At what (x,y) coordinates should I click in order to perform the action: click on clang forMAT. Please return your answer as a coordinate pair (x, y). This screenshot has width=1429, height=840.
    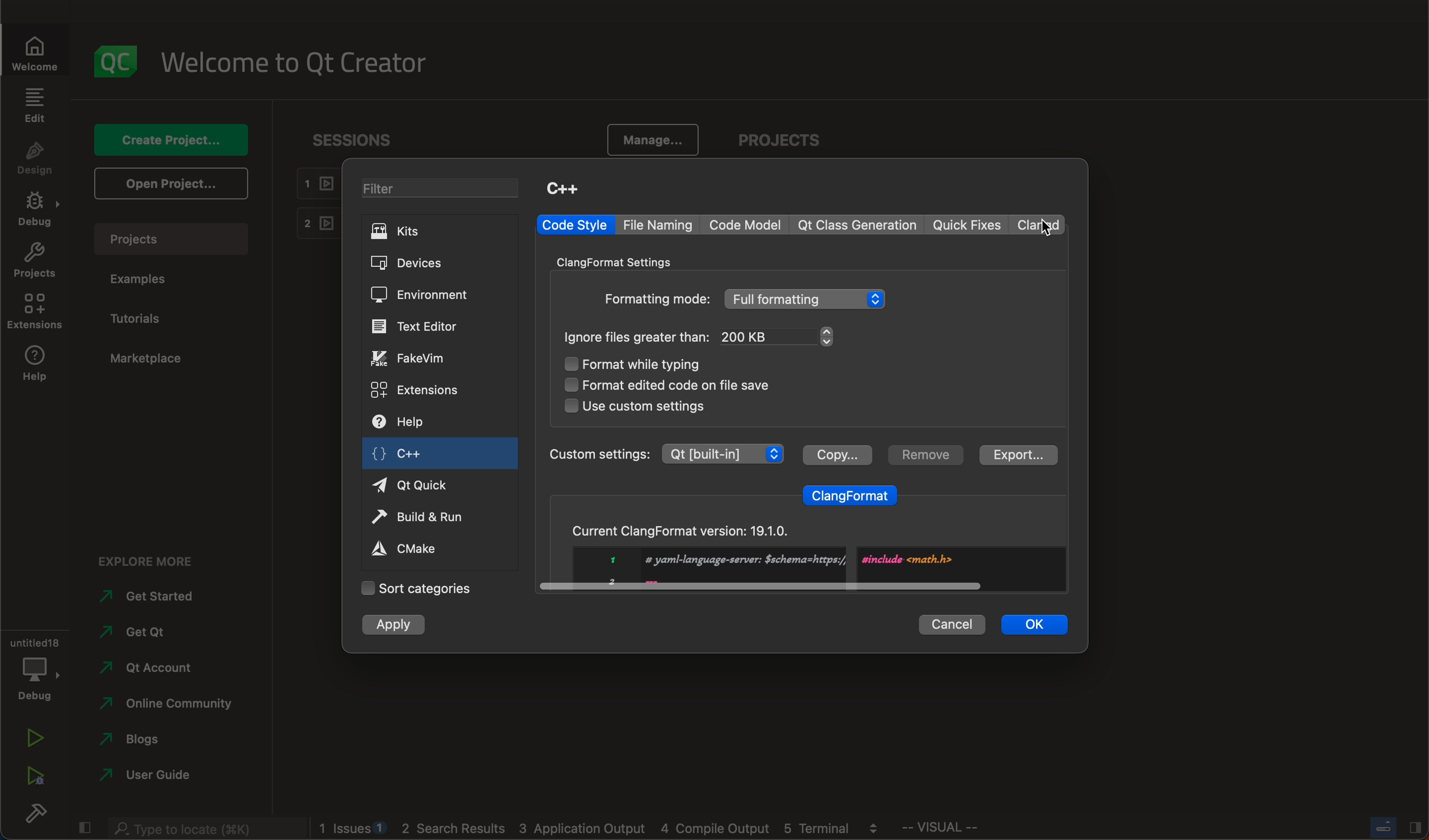
    Looking at the image, I should click on (619, 261).